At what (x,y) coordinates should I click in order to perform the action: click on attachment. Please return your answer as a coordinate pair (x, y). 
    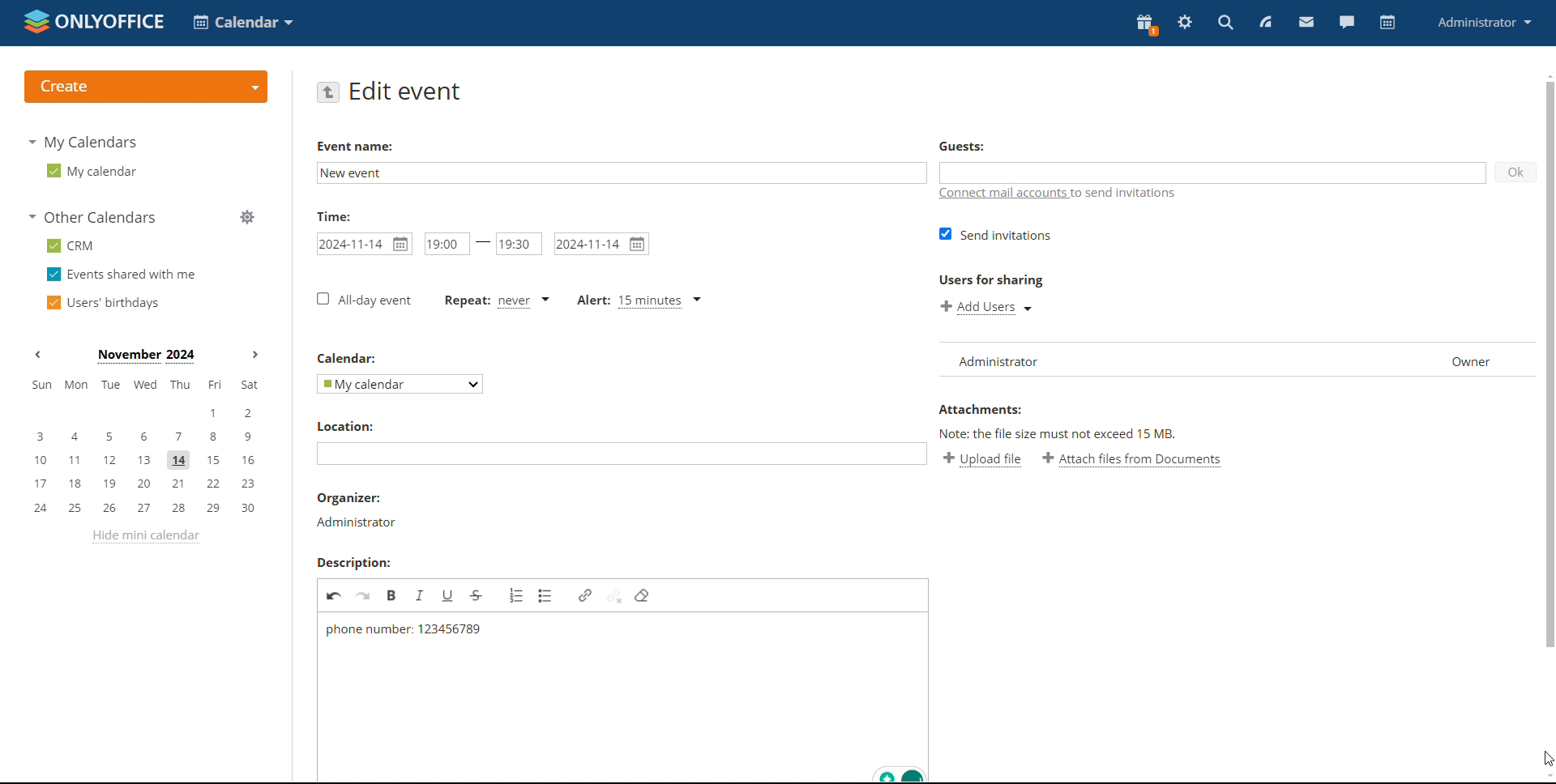
    Looking at the image, I should click on (979, 409).